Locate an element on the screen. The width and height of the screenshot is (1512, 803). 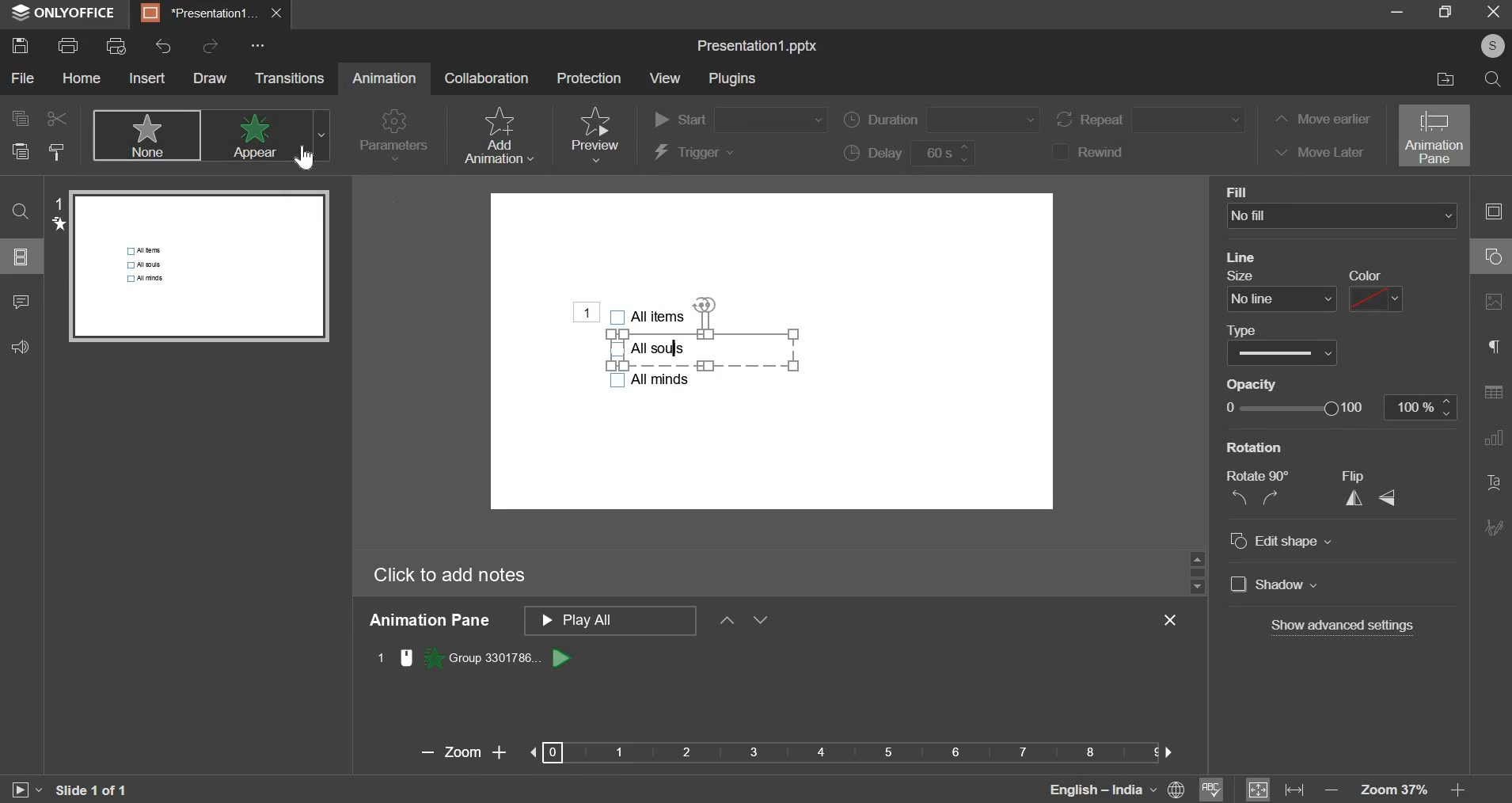
repeat is located at coordinates (1153, 120).